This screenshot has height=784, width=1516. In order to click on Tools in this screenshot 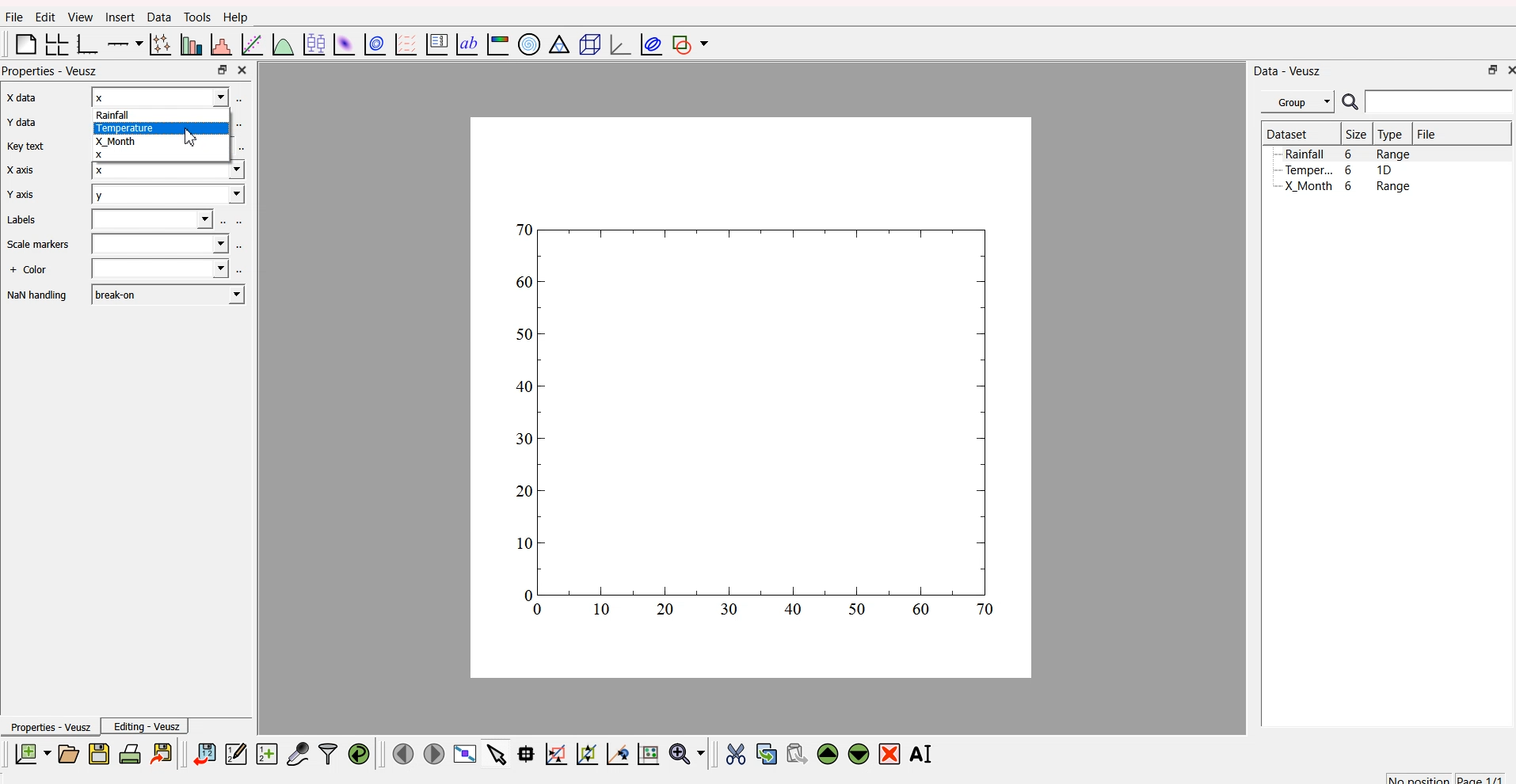, I will do `click(196, 16)`.